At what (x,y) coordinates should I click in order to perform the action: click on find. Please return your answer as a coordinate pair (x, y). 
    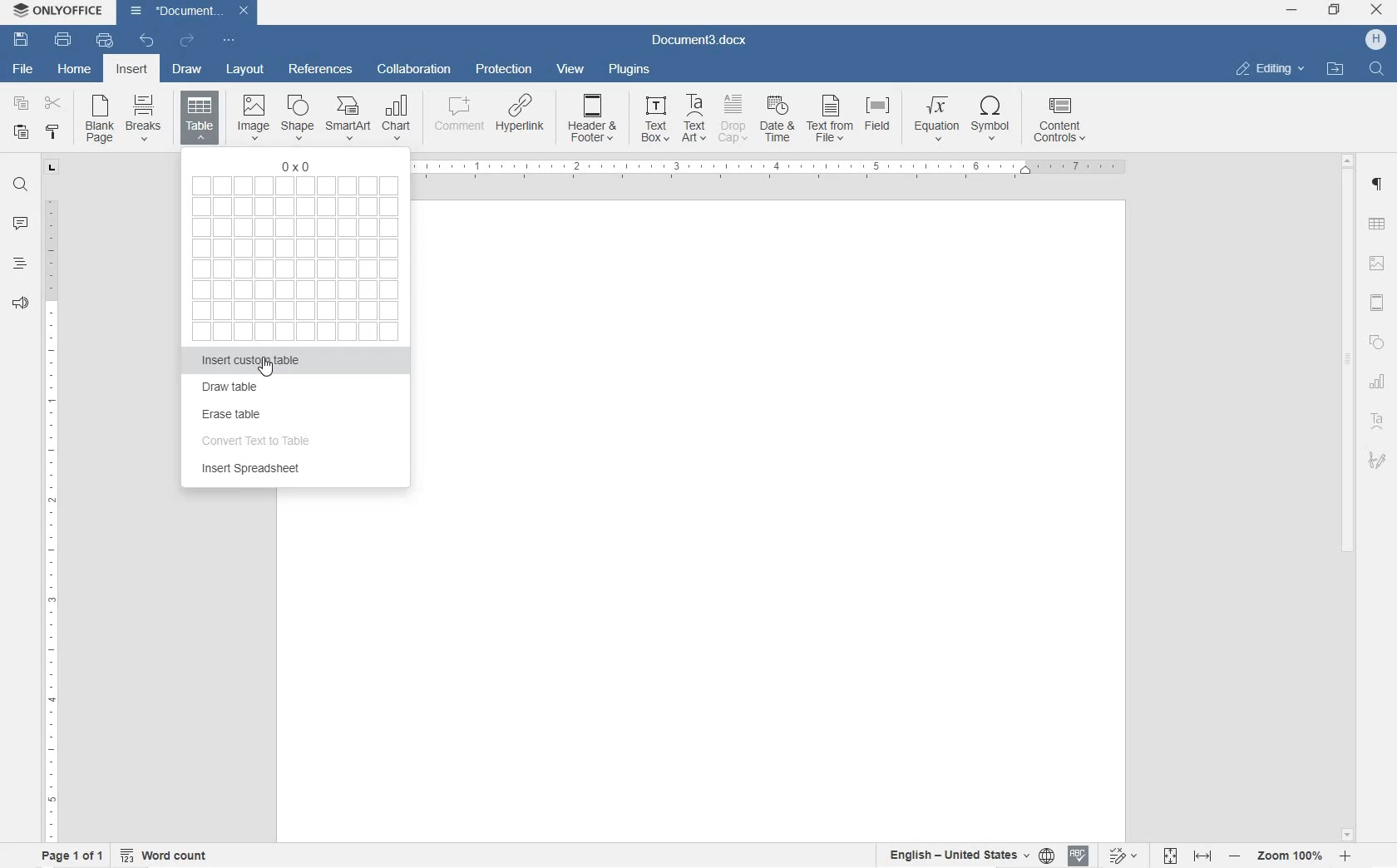
    Looking at the image, I should click on (1379, 70).